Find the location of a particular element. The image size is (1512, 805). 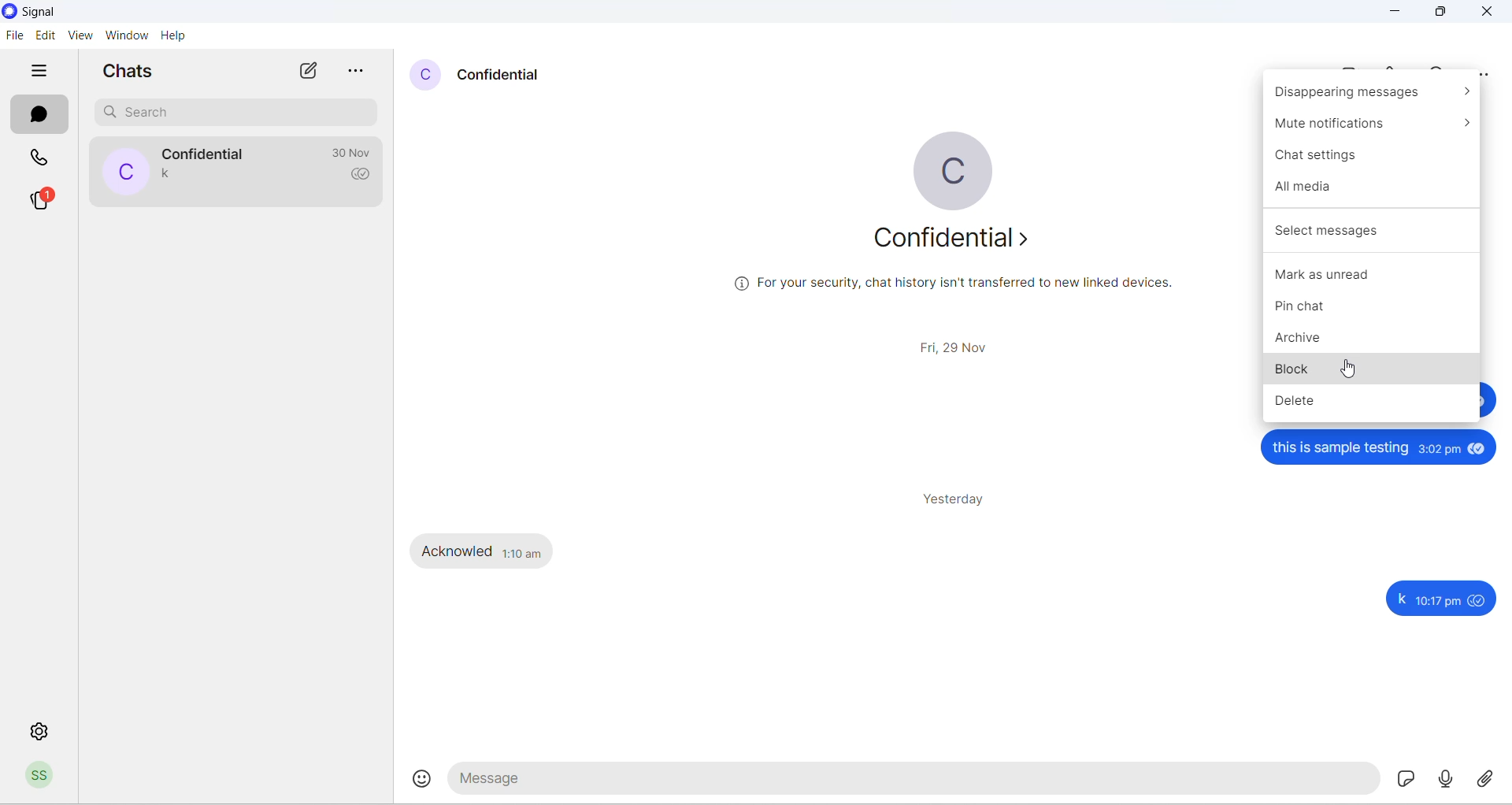

profile picture is located at coordinates (948, 162).